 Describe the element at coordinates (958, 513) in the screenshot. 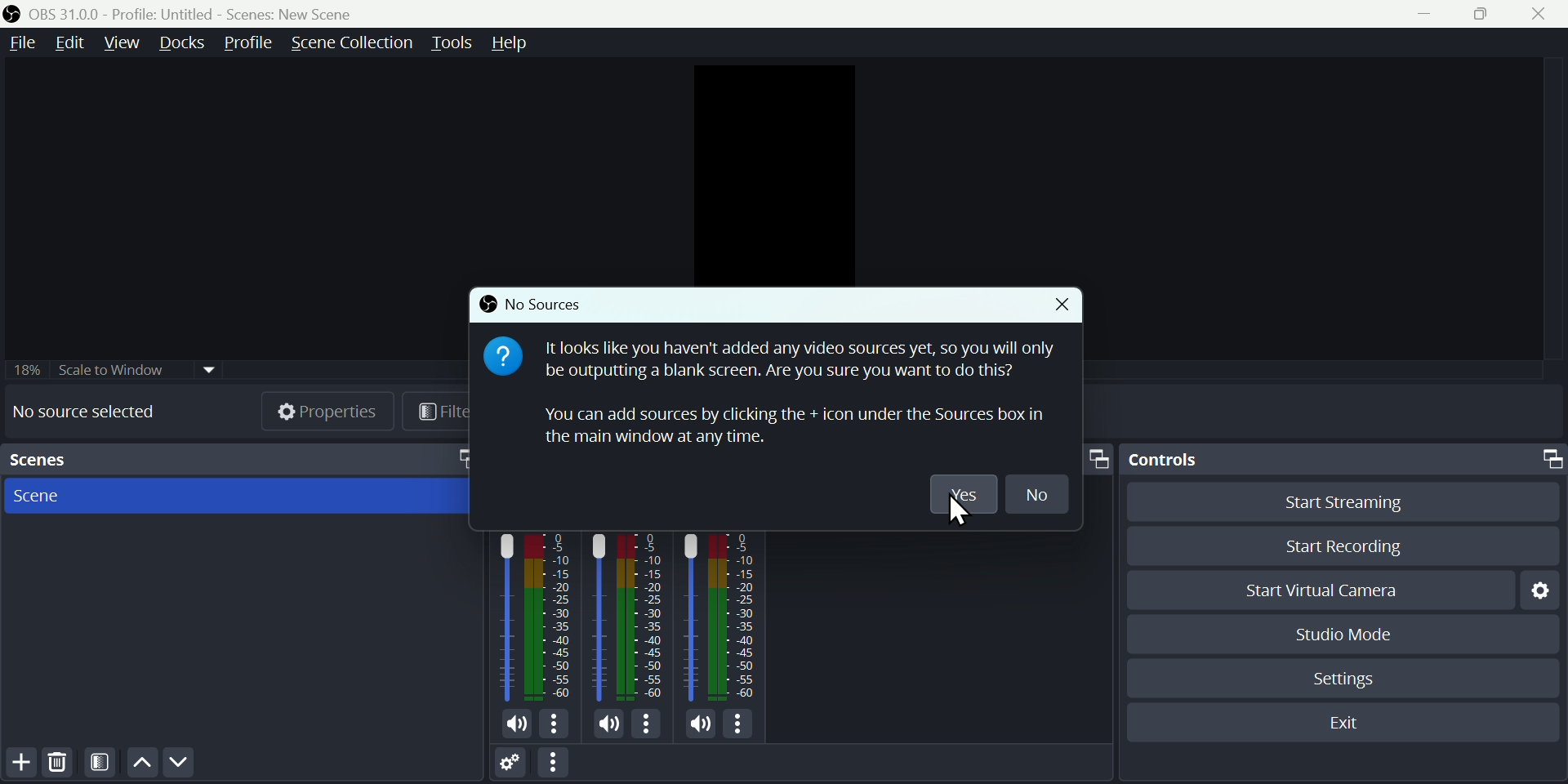

I see `cursor` at that location.